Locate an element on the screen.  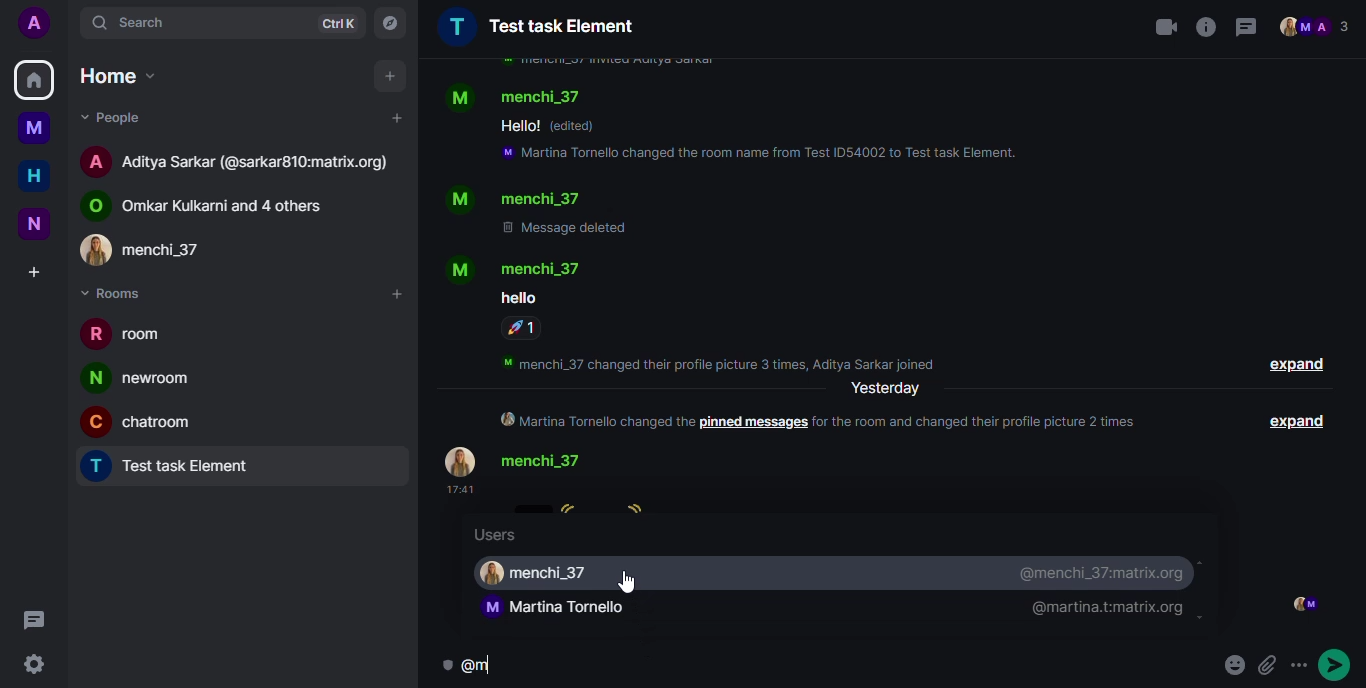
threads is located at coordinates (1247, 28).